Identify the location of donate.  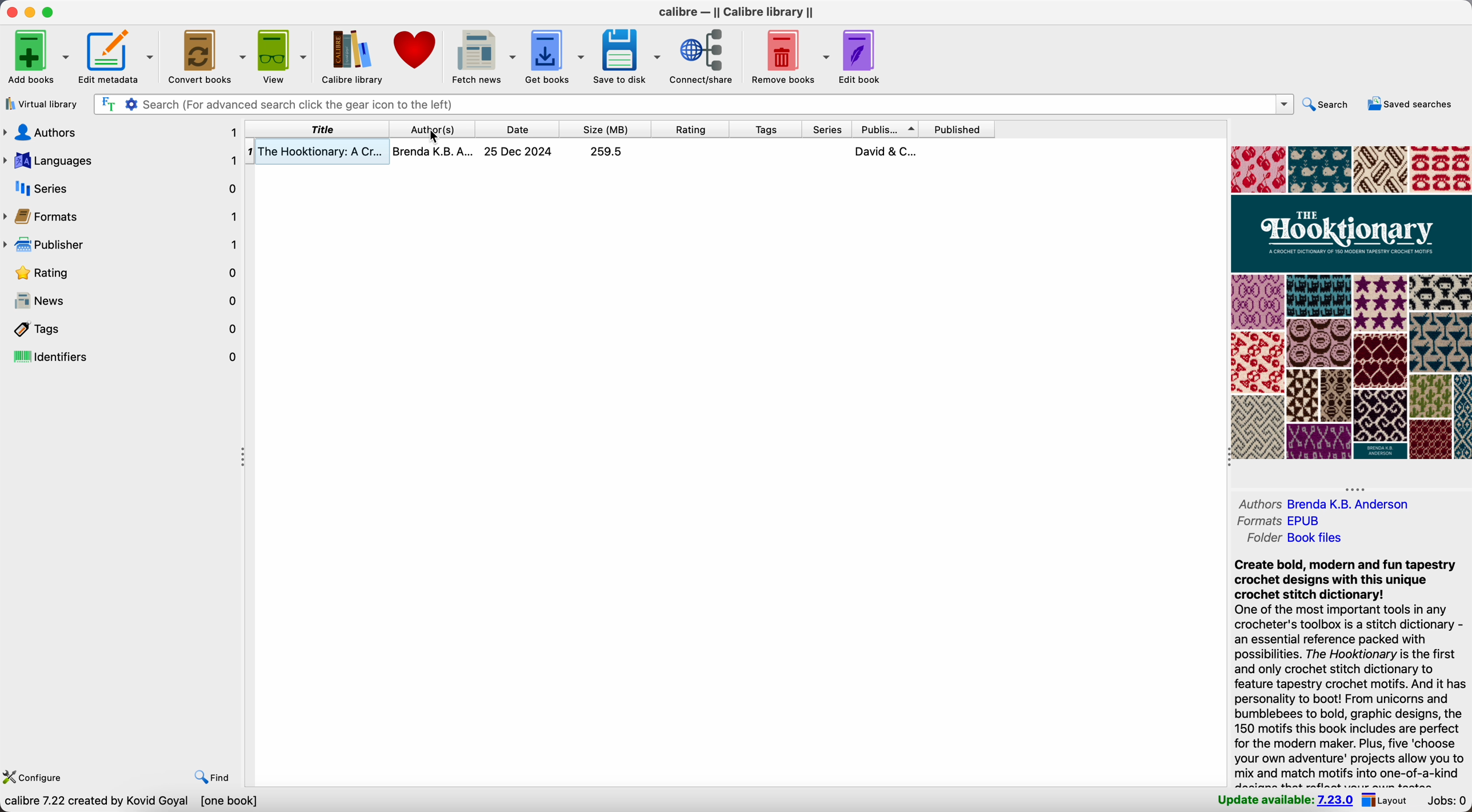
(417, 51).